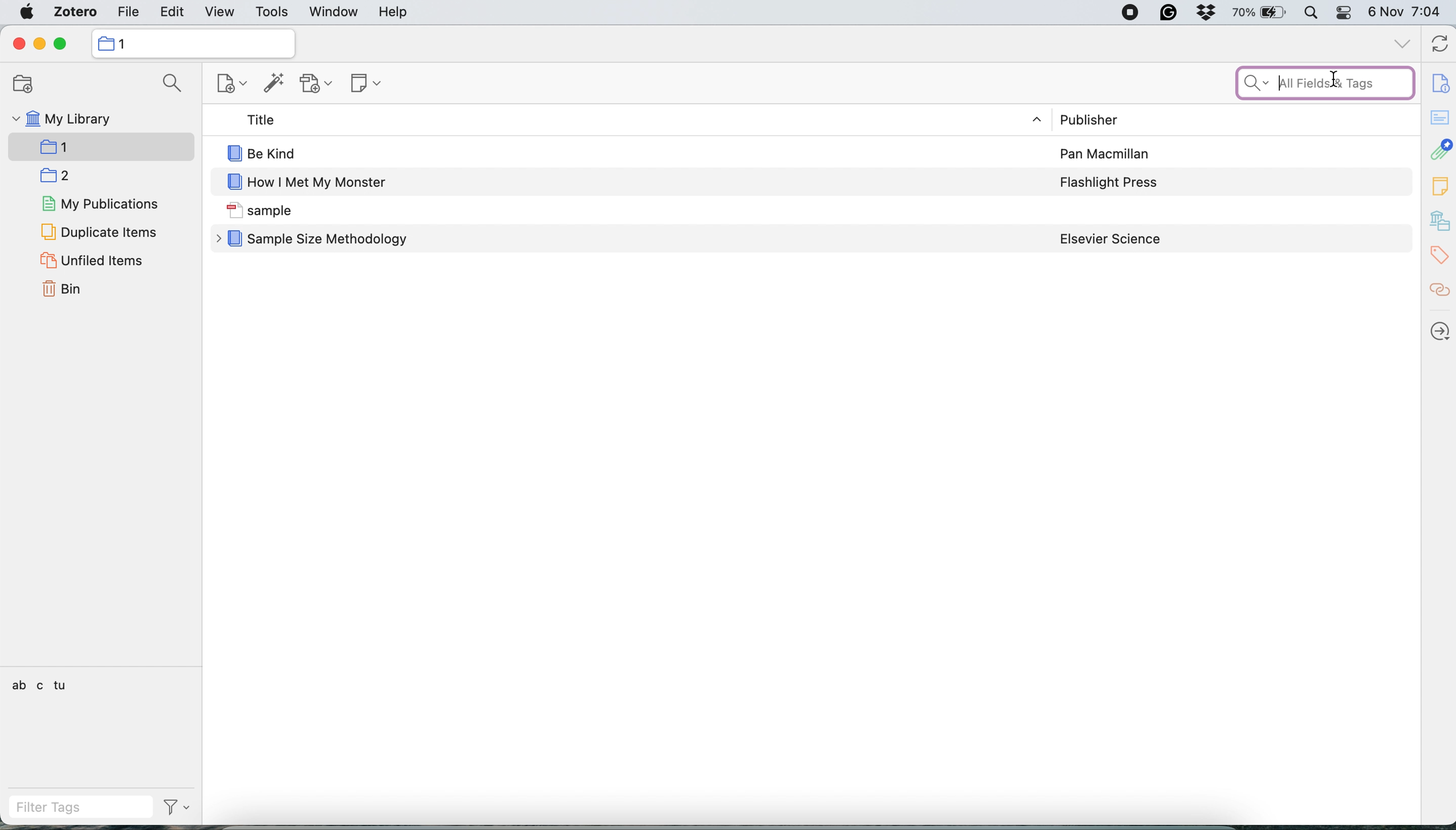 The width and height of the screenshot is (1456, 830). Describe the element at coordinates (1439, 150) in the screenshot. I see `attachment` at that location.